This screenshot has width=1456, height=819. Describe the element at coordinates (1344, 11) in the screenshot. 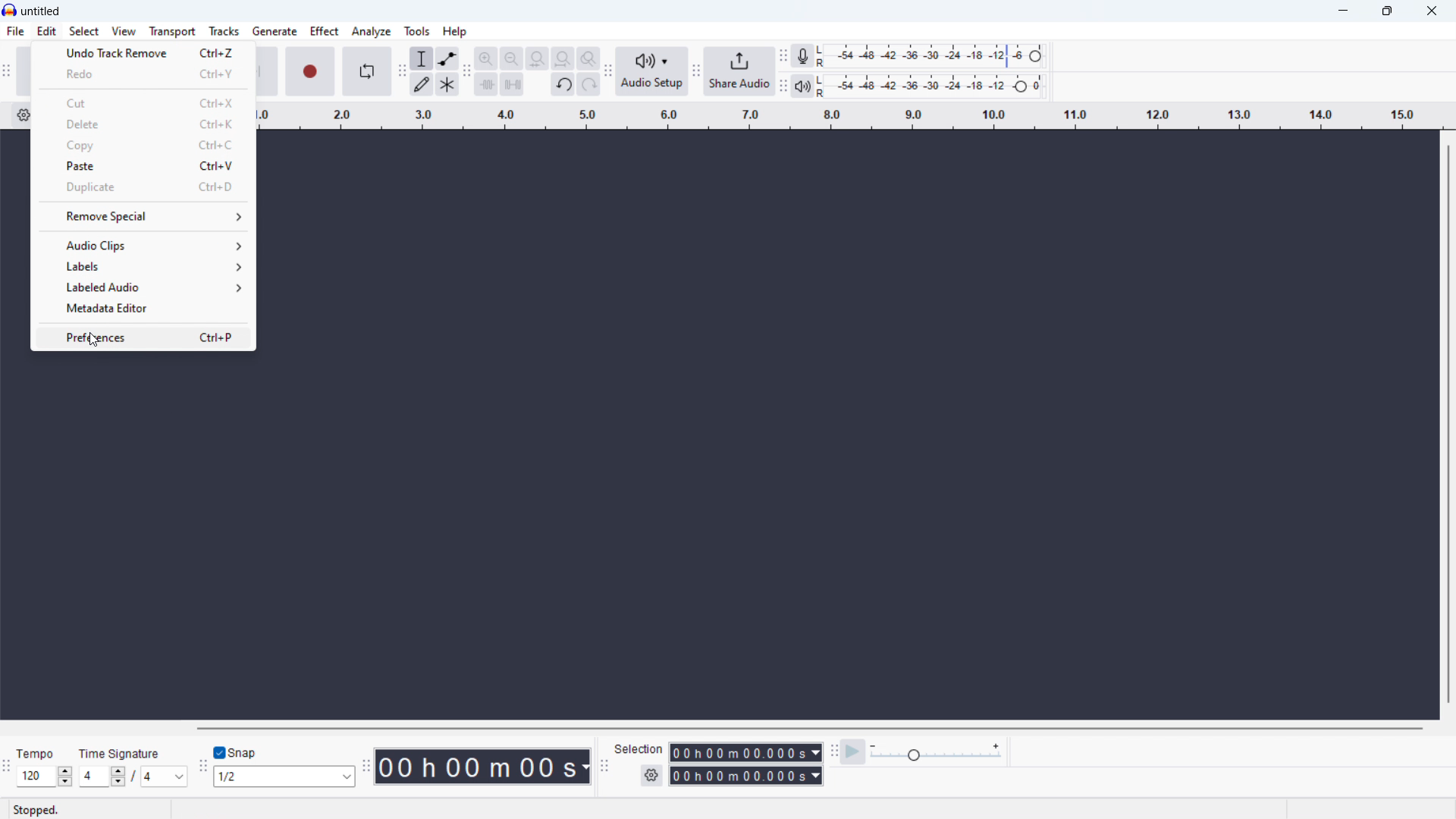

I see `minimize` at that location.